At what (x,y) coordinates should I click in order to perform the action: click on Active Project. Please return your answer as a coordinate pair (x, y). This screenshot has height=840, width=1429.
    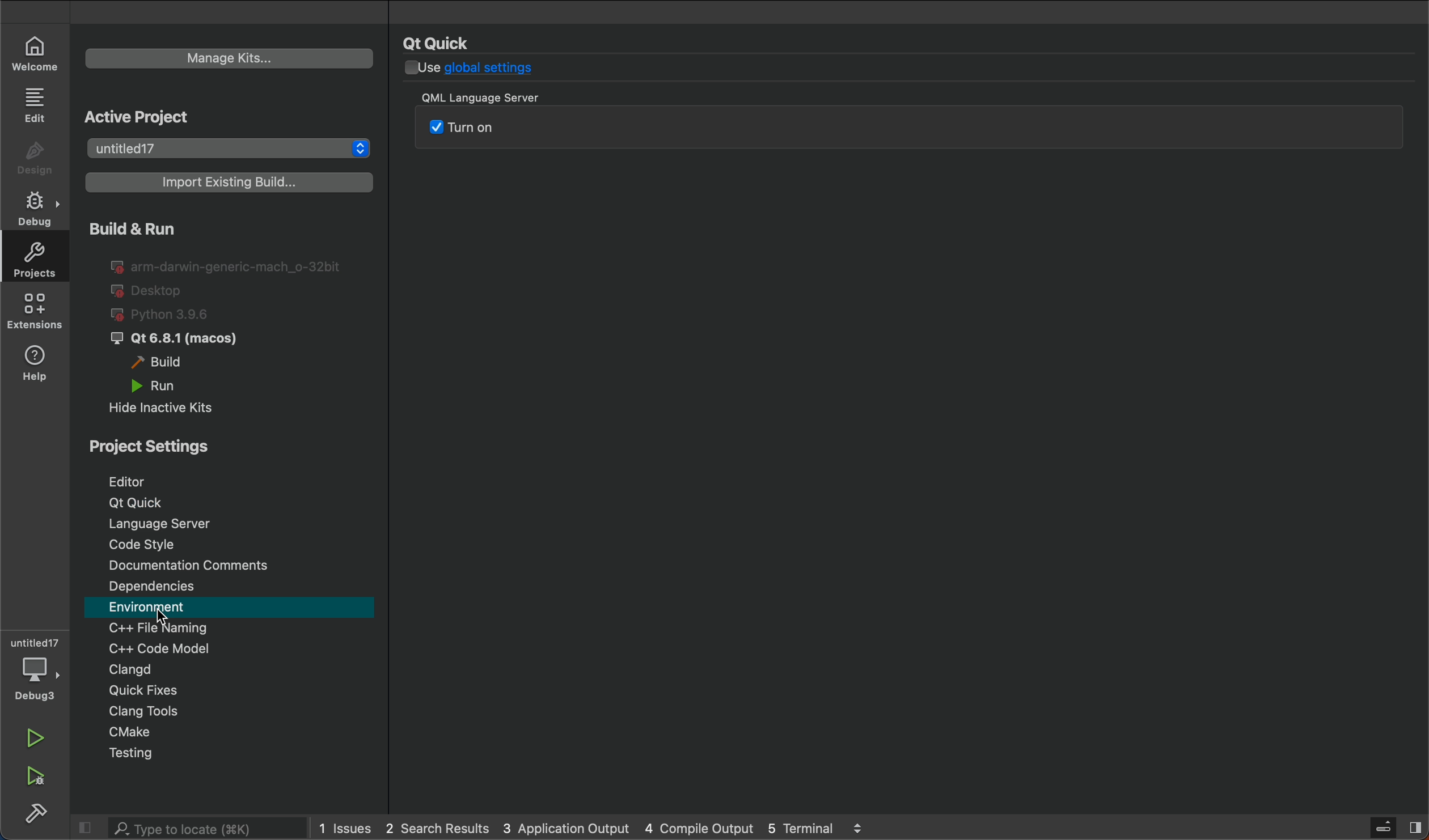
    Looking at the image, I should click on (200, 116).